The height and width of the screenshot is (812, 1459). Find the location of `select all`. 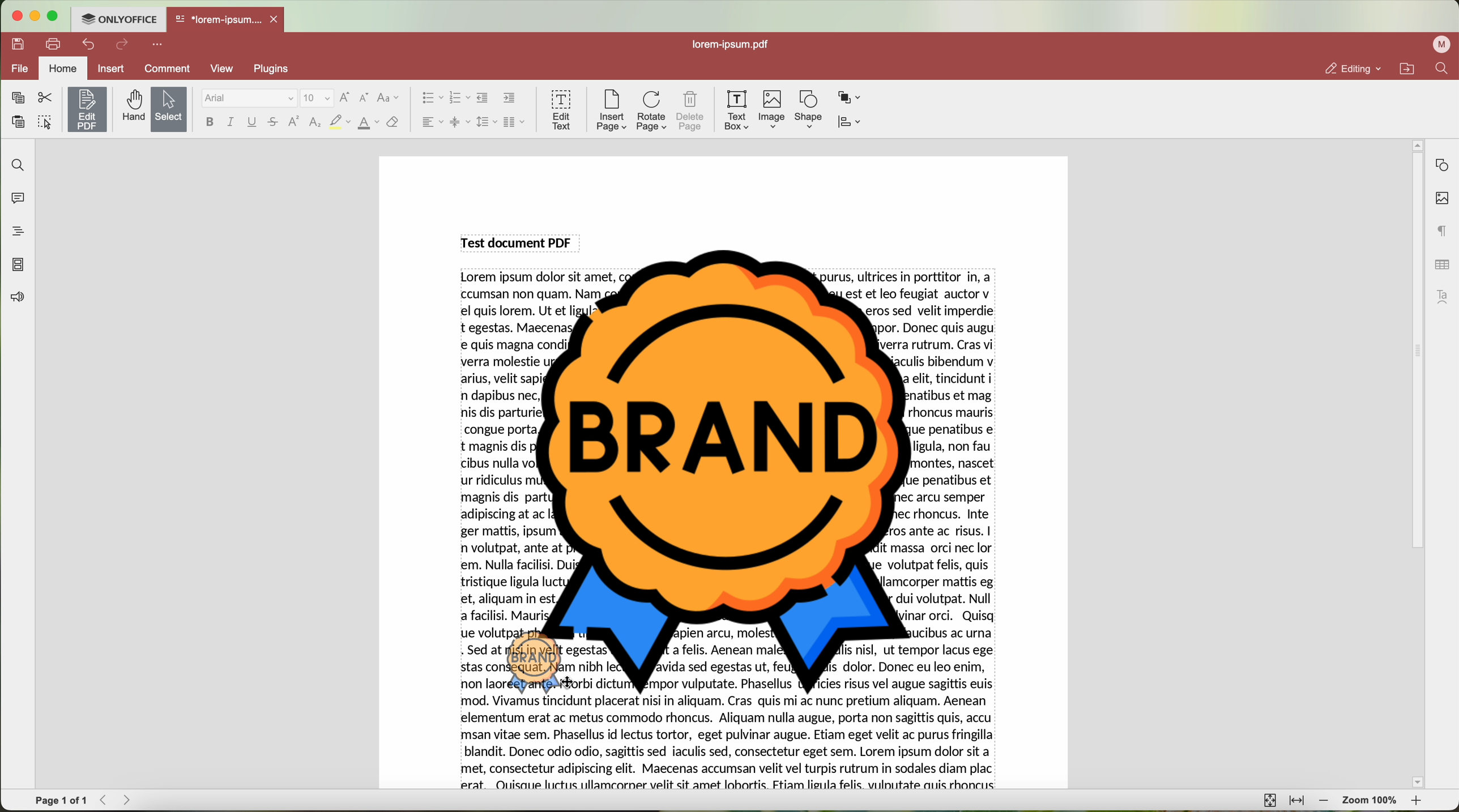

select all is located at coordinates (45, 123).